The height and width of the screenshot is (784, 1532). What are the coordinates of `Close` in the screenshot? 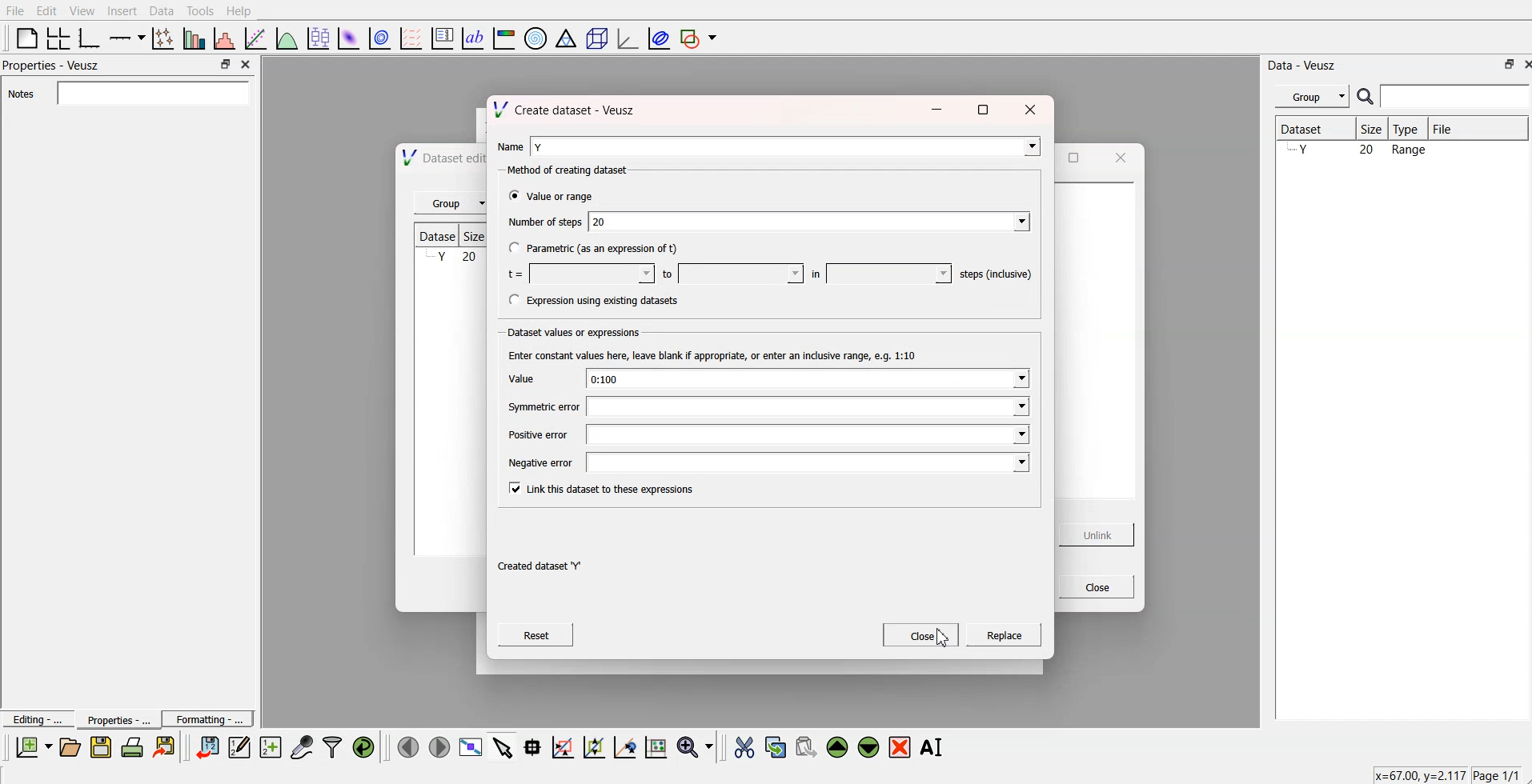 It's located at (1522, 64).